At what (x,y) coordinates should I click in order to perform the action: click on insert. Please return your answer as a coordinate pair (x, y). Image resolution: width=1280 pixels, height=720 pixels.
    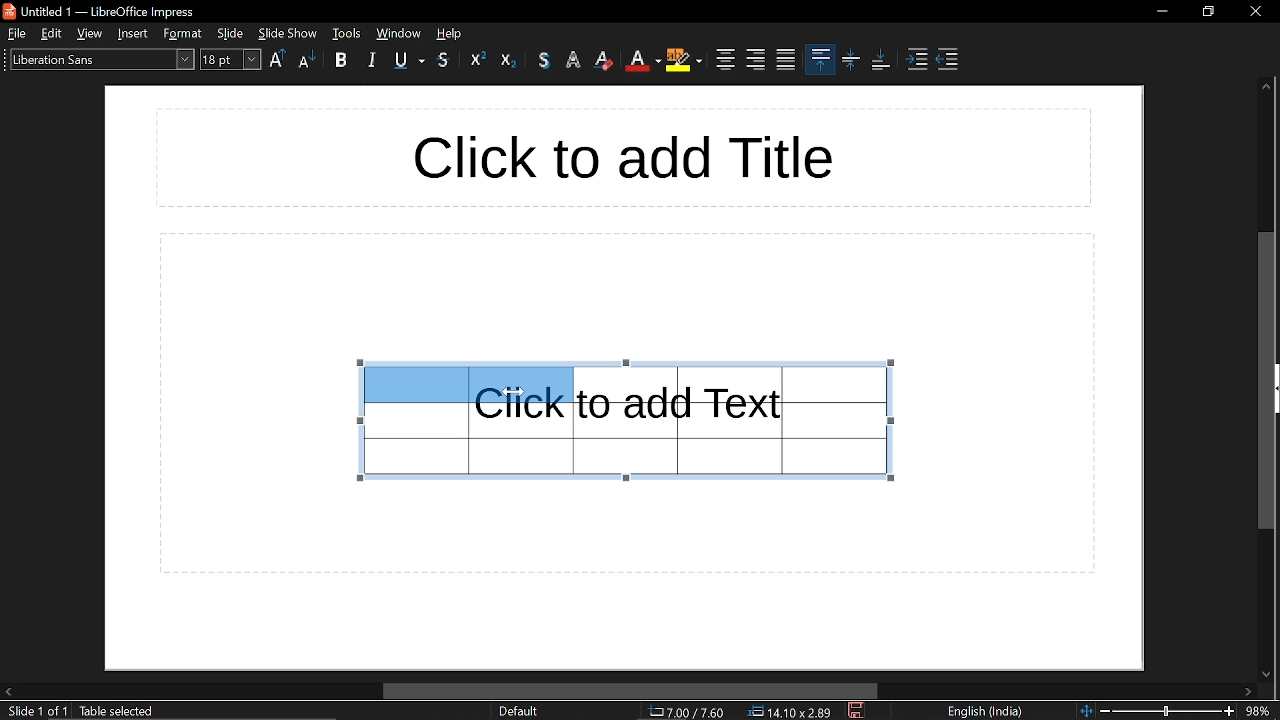
    Looking at the image, I should click on (134, 33).